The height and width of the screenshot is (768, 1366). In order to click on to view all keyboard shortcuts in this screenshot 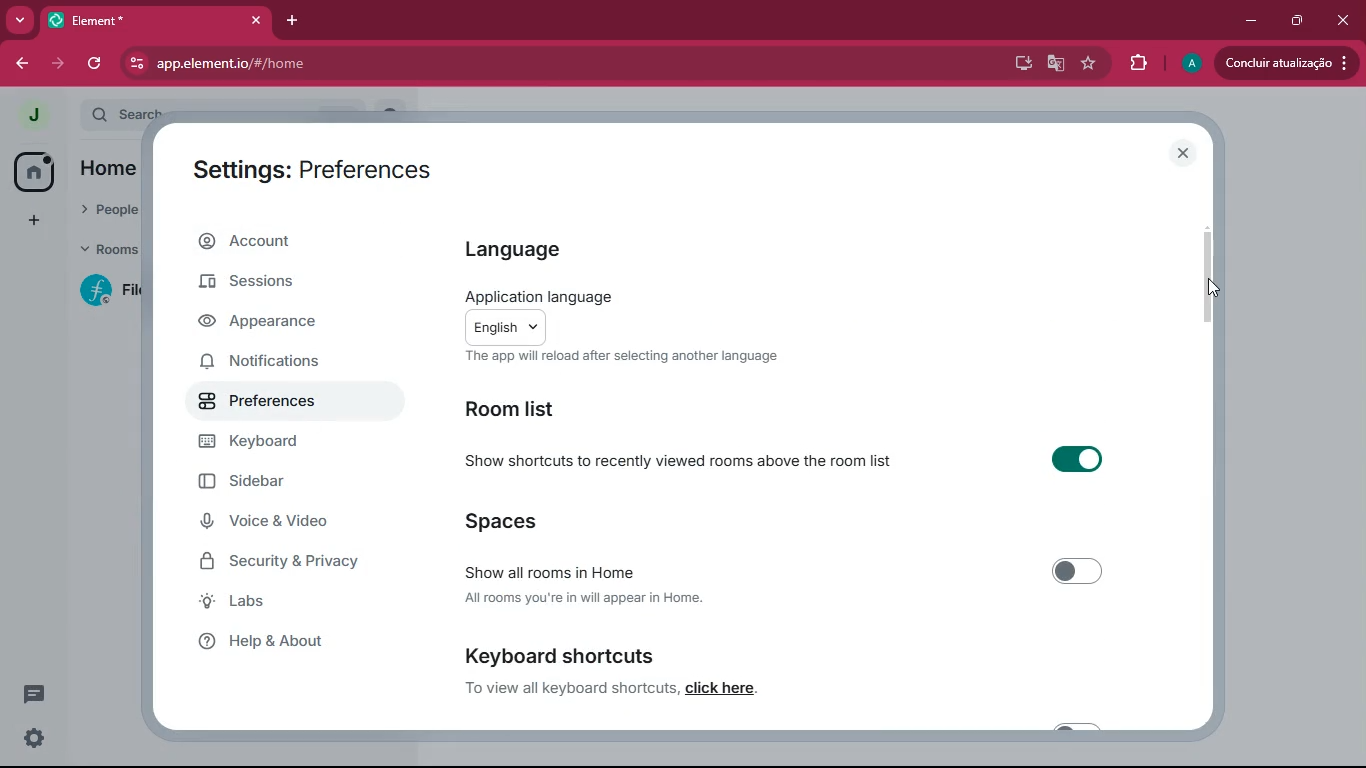, I will do `click(568, 687)`.